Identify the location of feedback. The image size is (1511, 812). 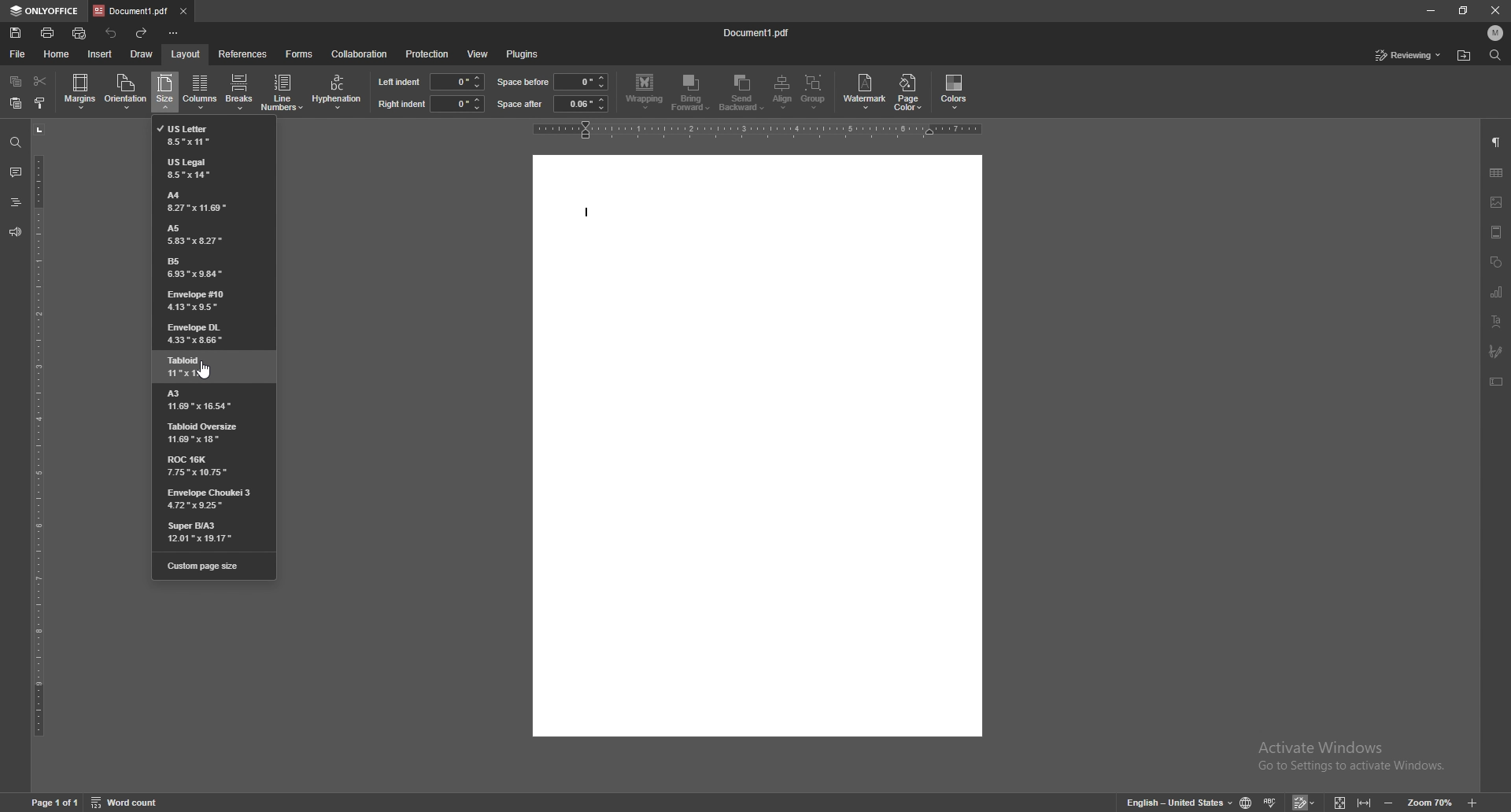
(15, 233).